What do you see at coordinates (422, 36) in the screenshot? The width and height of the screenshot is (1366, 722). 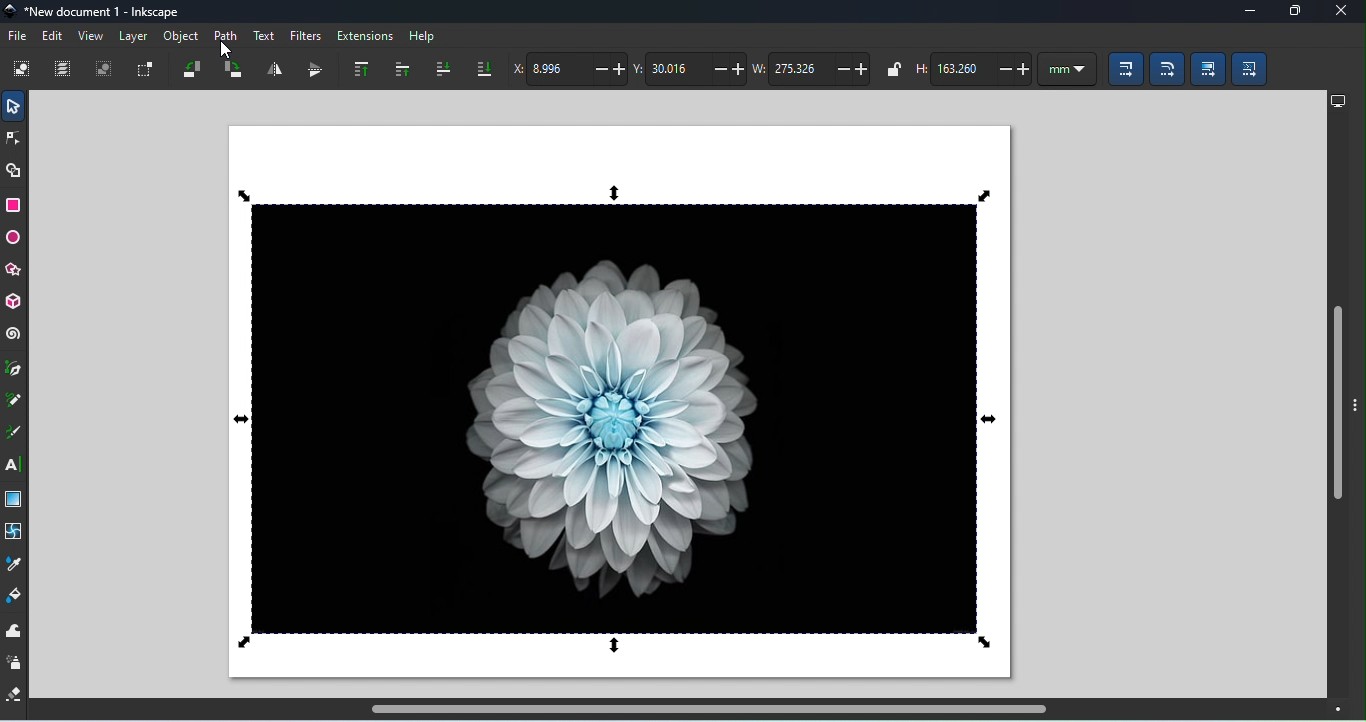 I see `Help` at bounding box center [422, 36].